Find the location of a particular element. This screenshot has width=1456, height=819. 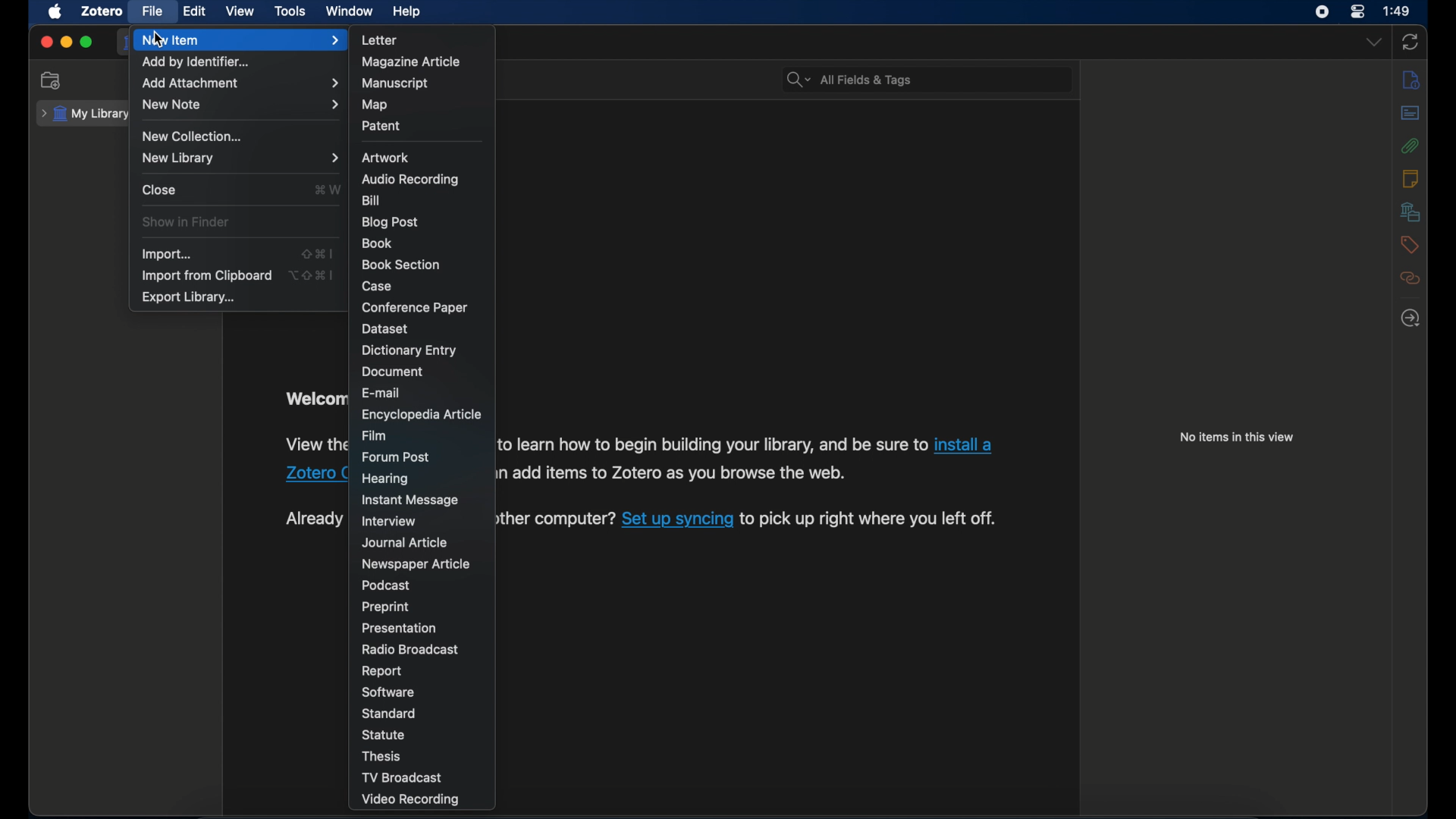

Welcome is located at coordinates (314, 398).